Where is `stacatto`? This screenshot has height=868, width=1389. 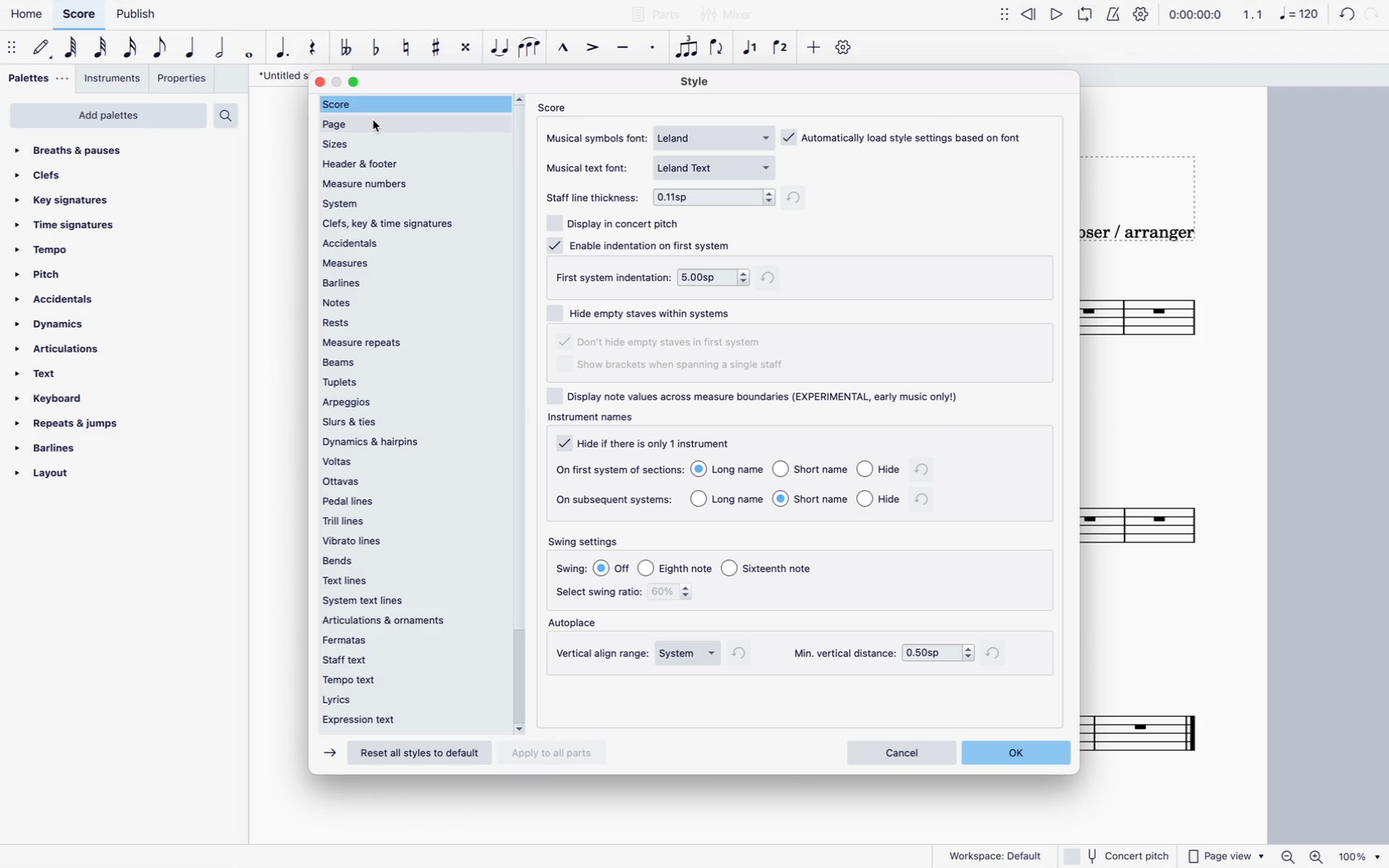
stacatto is located at coordinates (652, 50).